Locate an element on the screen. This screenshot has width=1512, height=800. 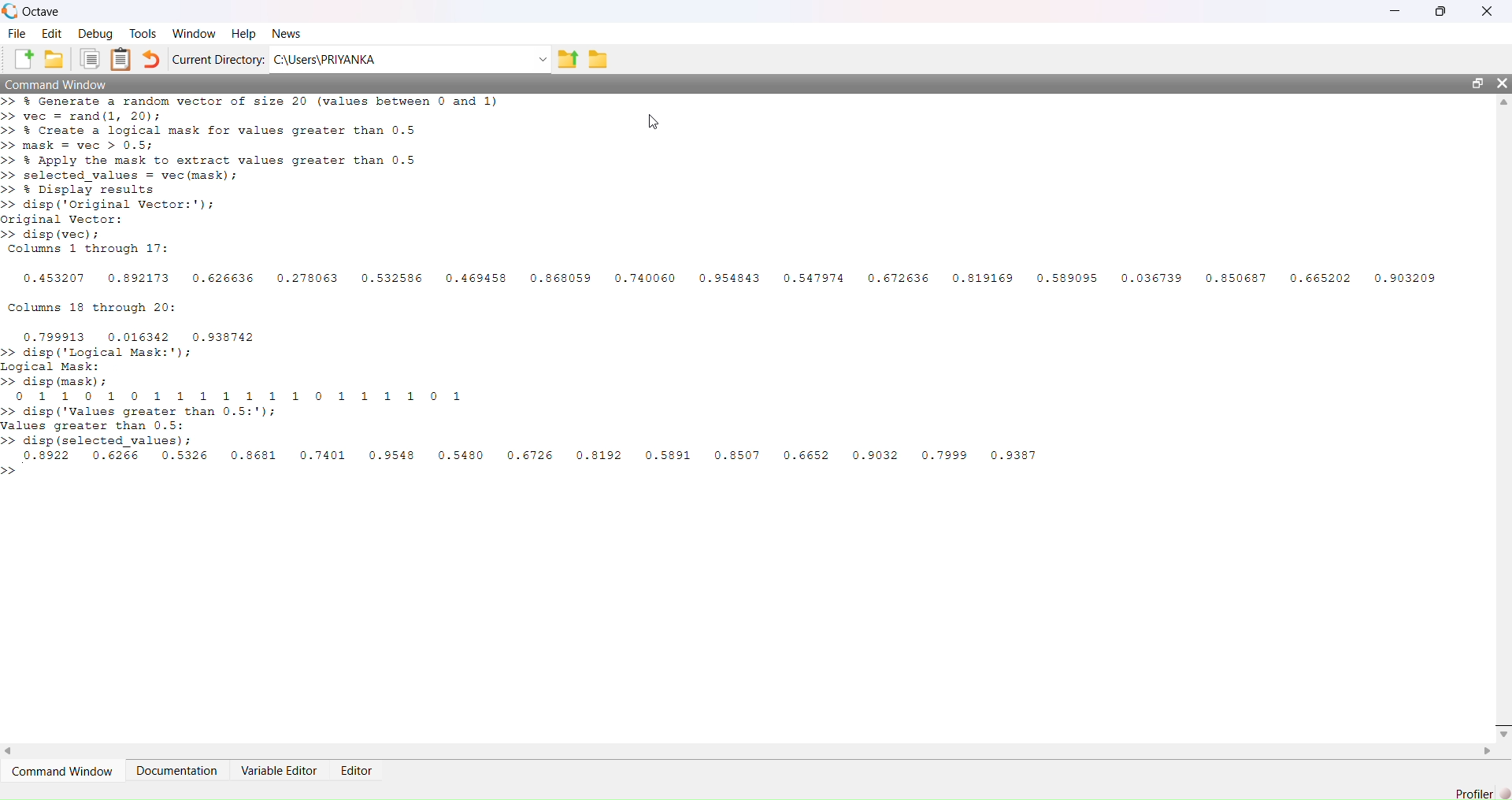
Octave is located at coordinates (36, 11).